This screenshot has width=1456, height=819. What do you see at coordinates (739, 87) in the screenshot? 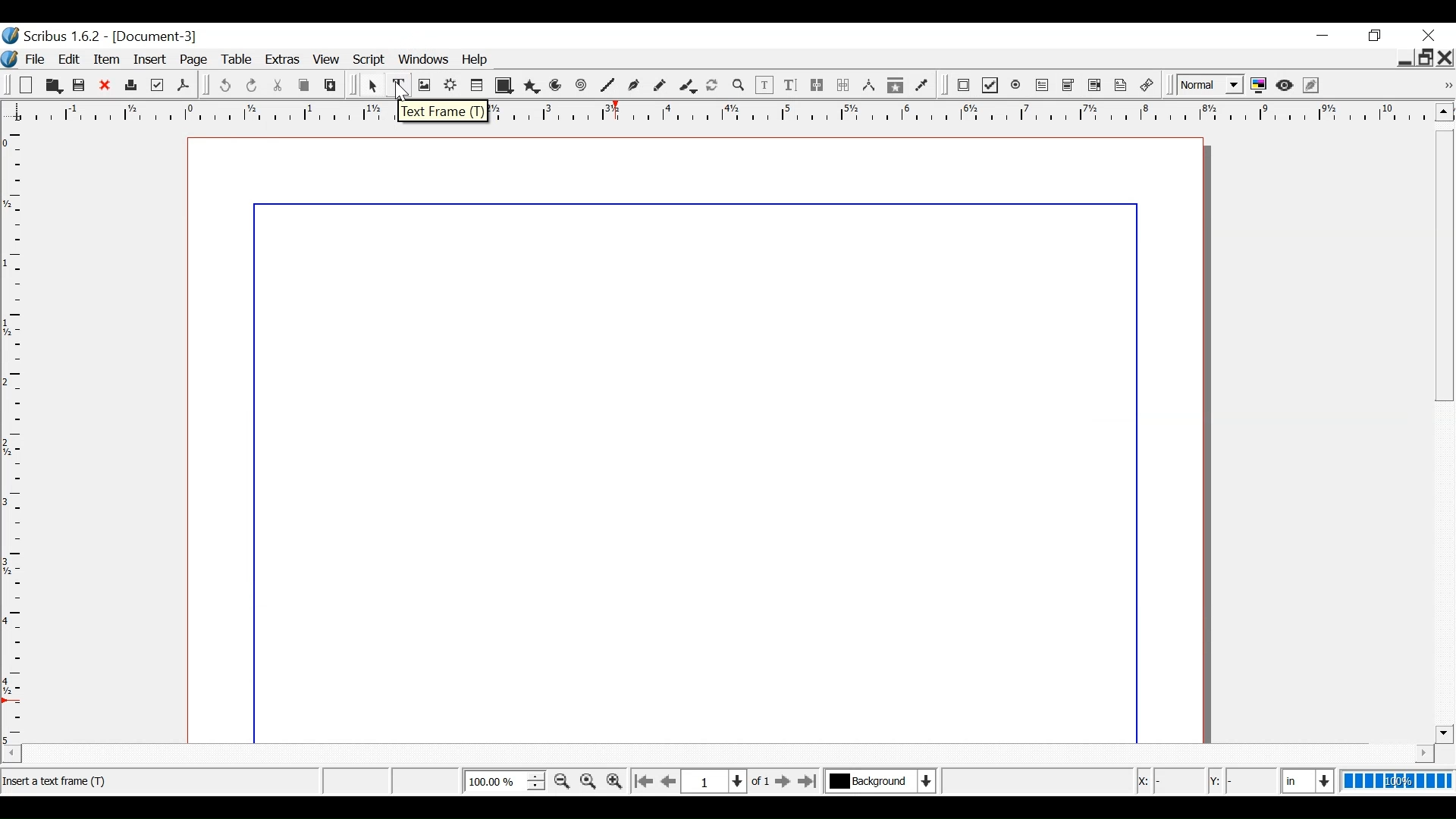
I see `Zoom` at bounding box center [739, 87].